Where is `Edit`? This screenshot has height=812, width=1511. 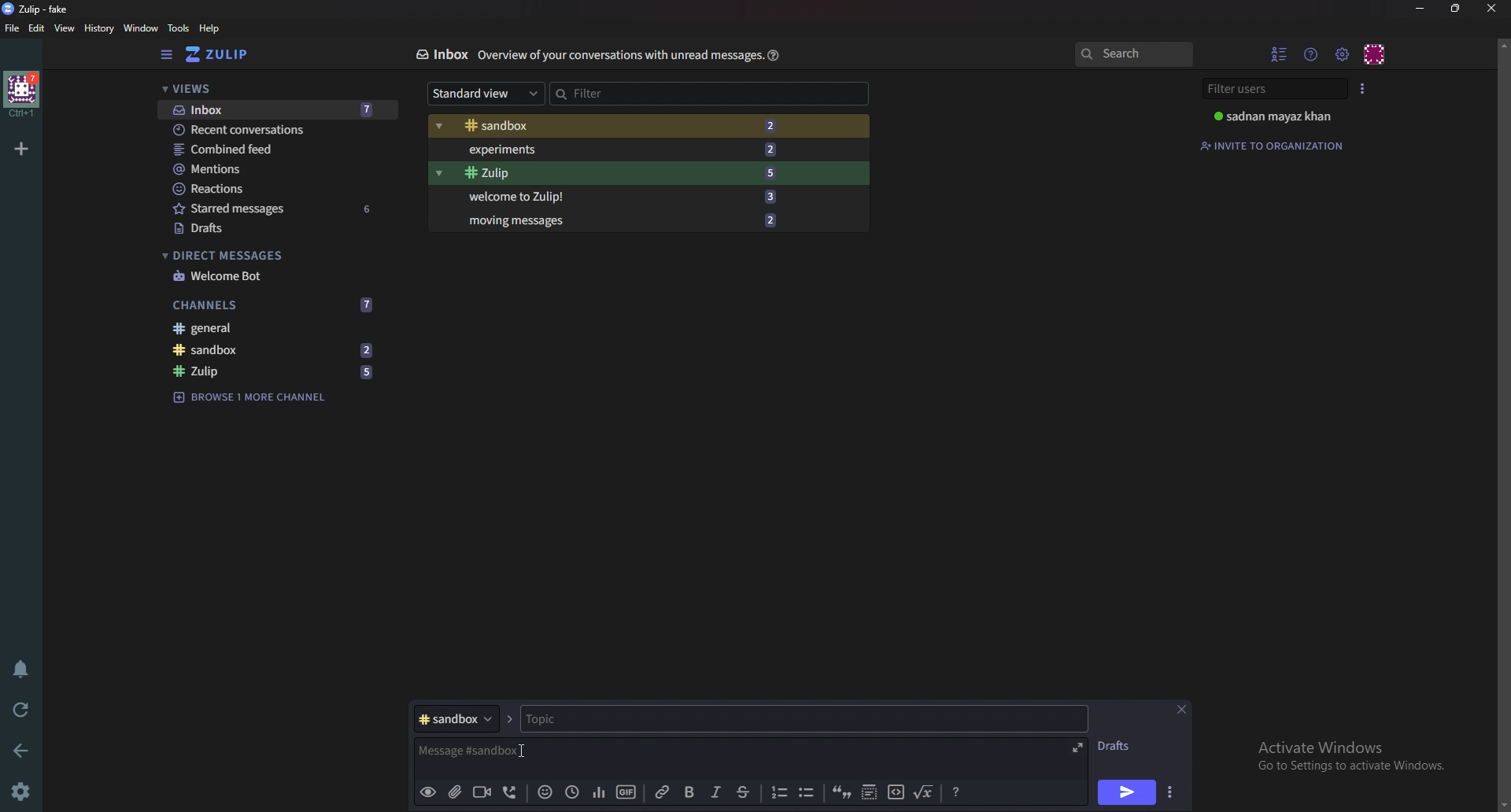
Edit is located at coordinates (38, 28).